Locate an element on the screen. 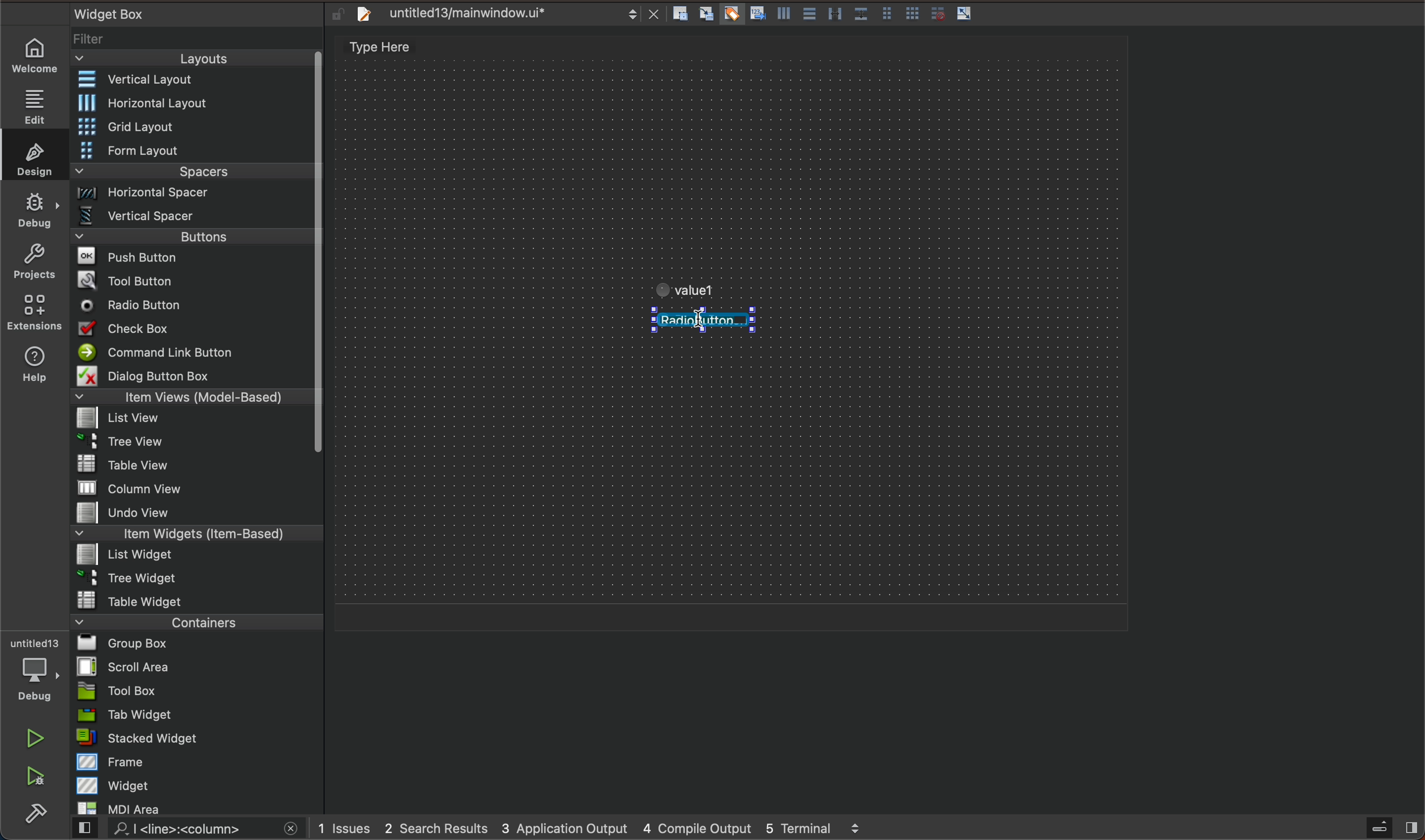 The image size is (1425, 840). widget box is located at coordinates (181, 13).